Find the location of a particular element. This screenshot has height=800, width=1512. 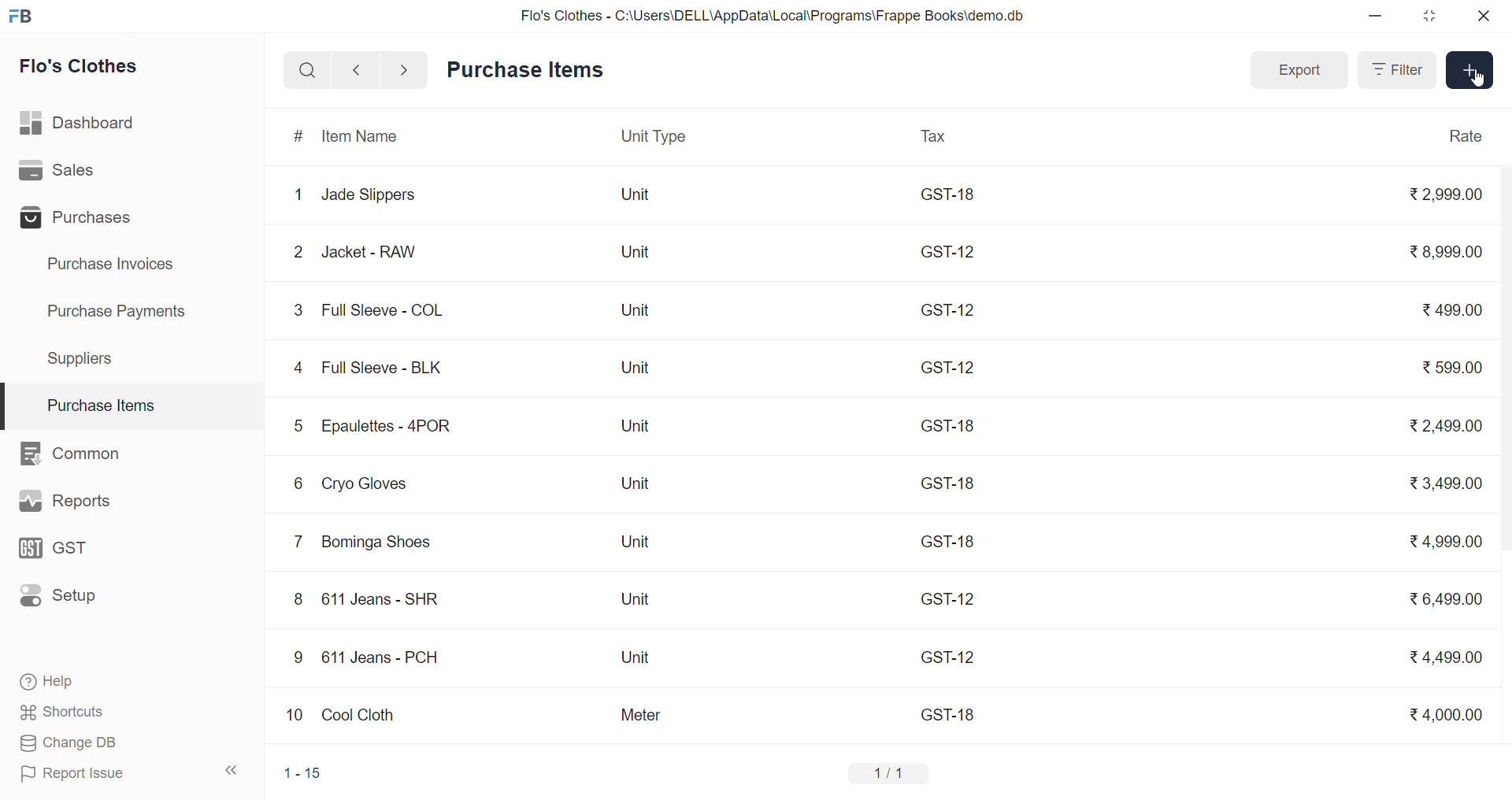

Unit is located at coordinates (639, 367).